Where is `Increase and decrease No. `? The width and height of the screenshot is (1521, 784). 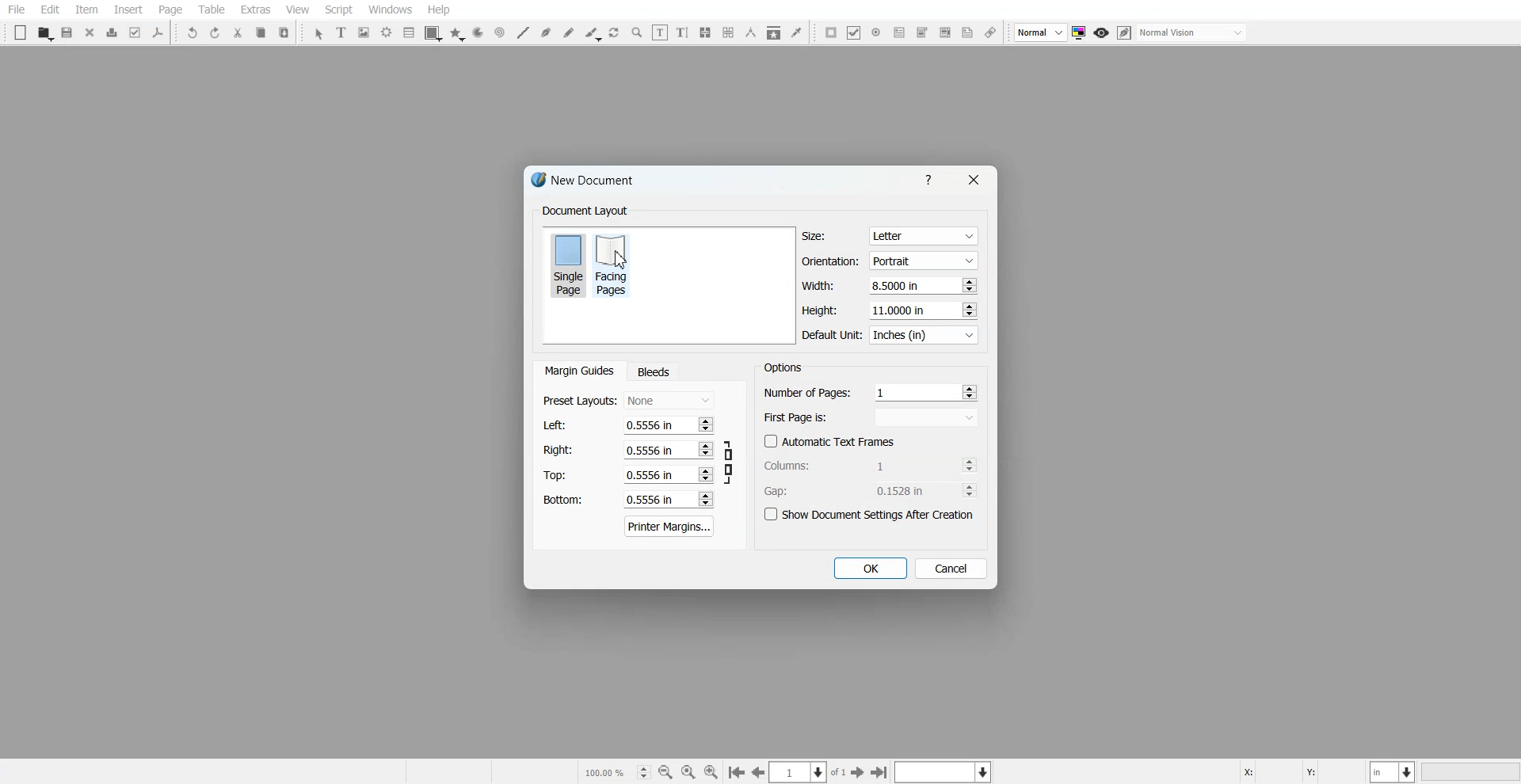
Increase and decrease No.  is located at coordinates (705, 475).